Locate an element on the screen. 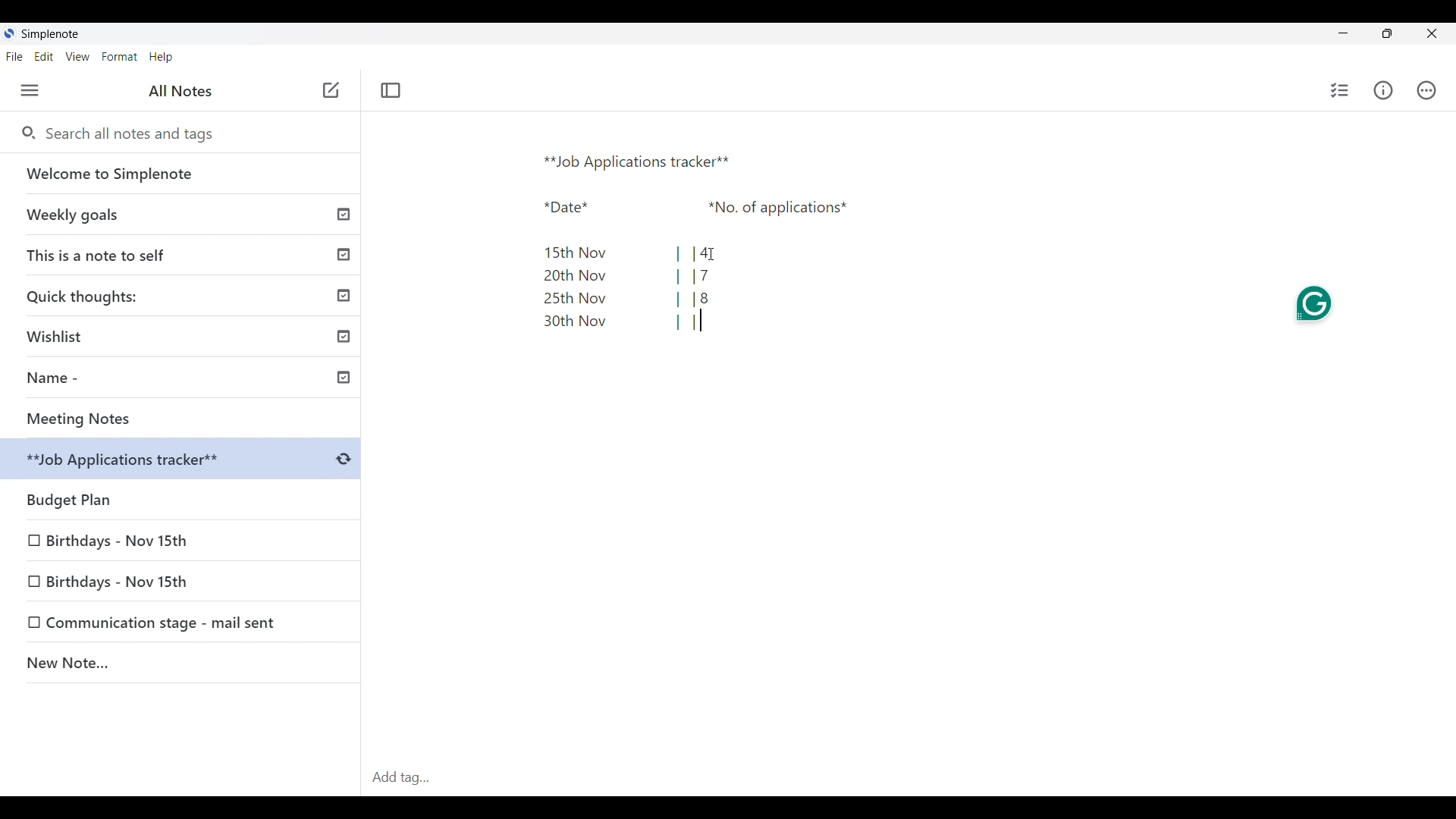 Image resolution: width=1456 pixels, height=819 pixels. All notes is located at coordinates (180, 90).